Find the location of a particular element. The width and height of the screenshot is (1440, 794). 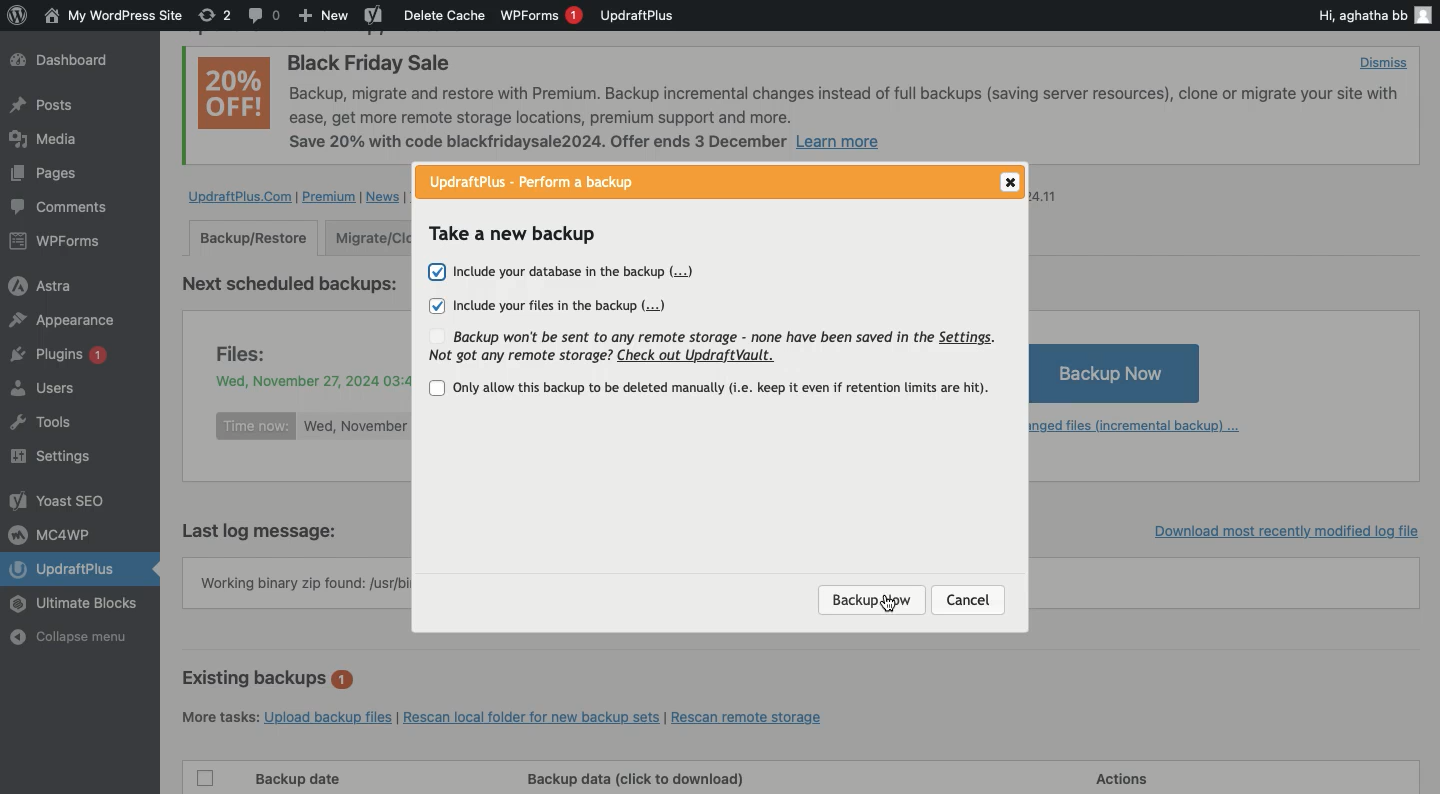

Media is located at coordinates (46, 138).